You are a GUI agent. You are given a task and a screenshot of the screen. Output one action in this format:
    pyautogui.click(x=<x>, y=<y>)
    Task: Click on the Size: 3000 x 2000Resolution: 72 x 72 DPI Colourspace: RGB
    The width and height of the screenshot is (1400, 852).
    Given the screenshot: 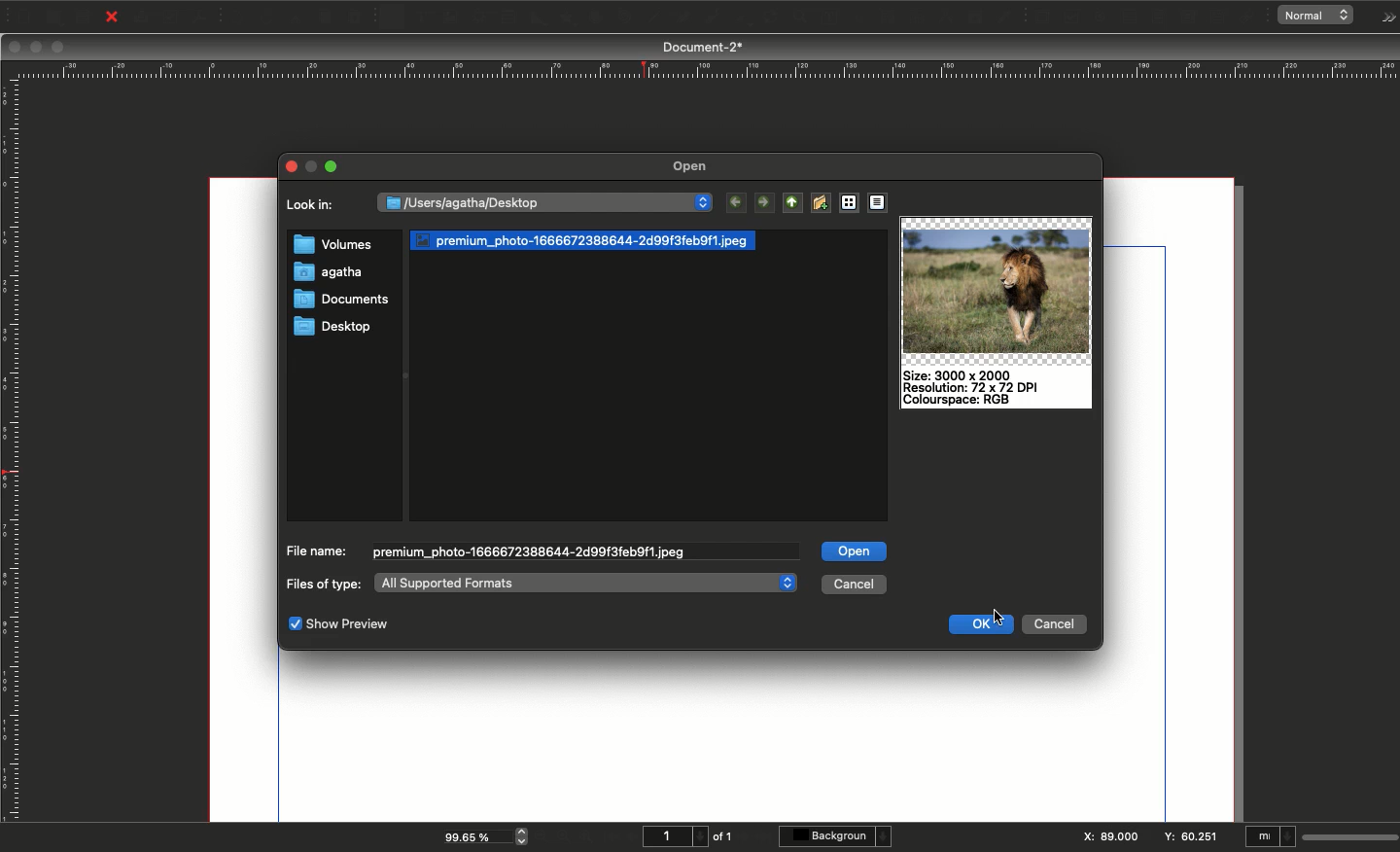 What is the action you would take?
    pyautogui.click(x=979, y=387)
    